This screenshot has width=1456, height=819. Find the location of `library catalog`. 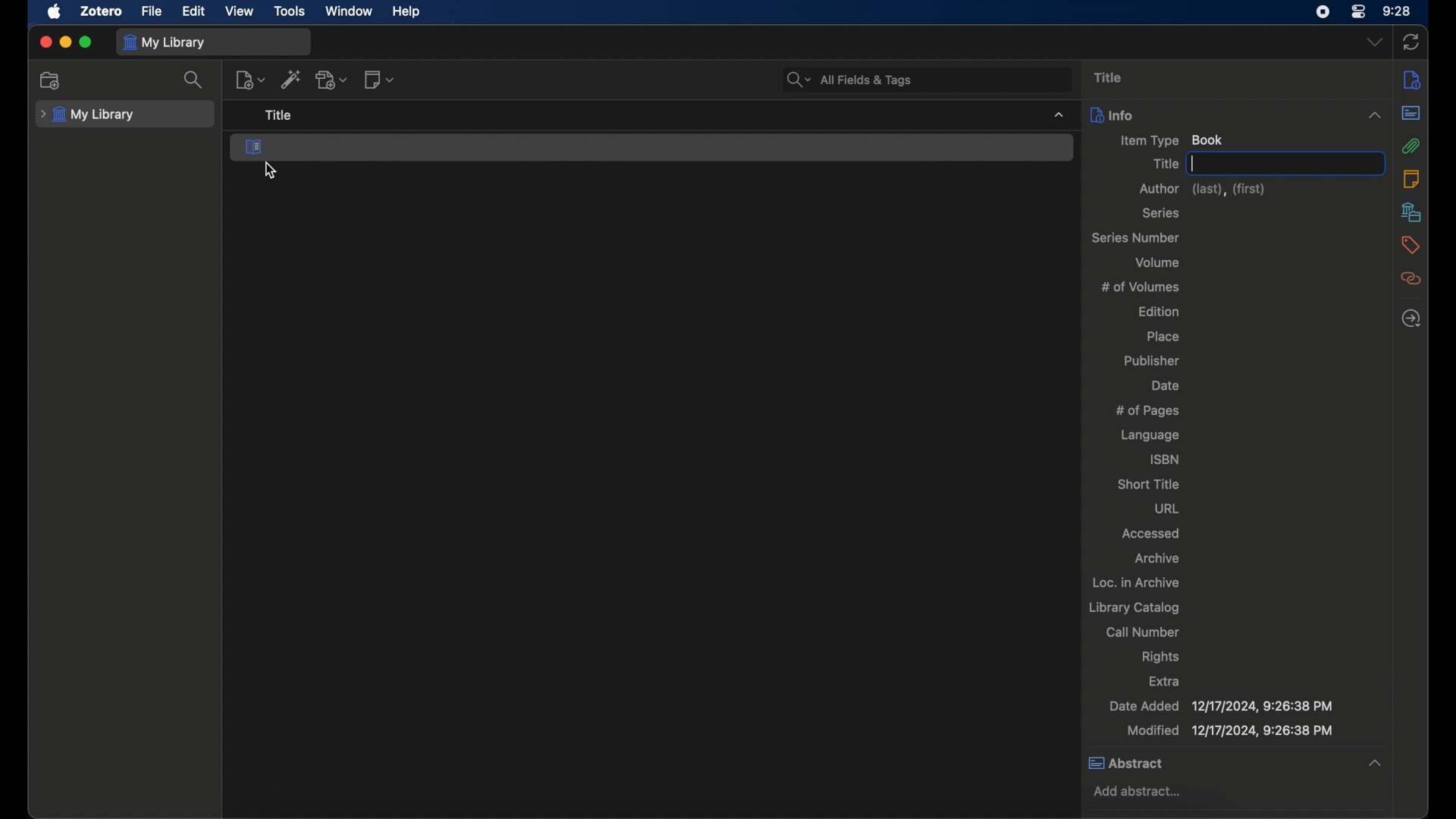

library catalog is located at coordinates (1134, 608).